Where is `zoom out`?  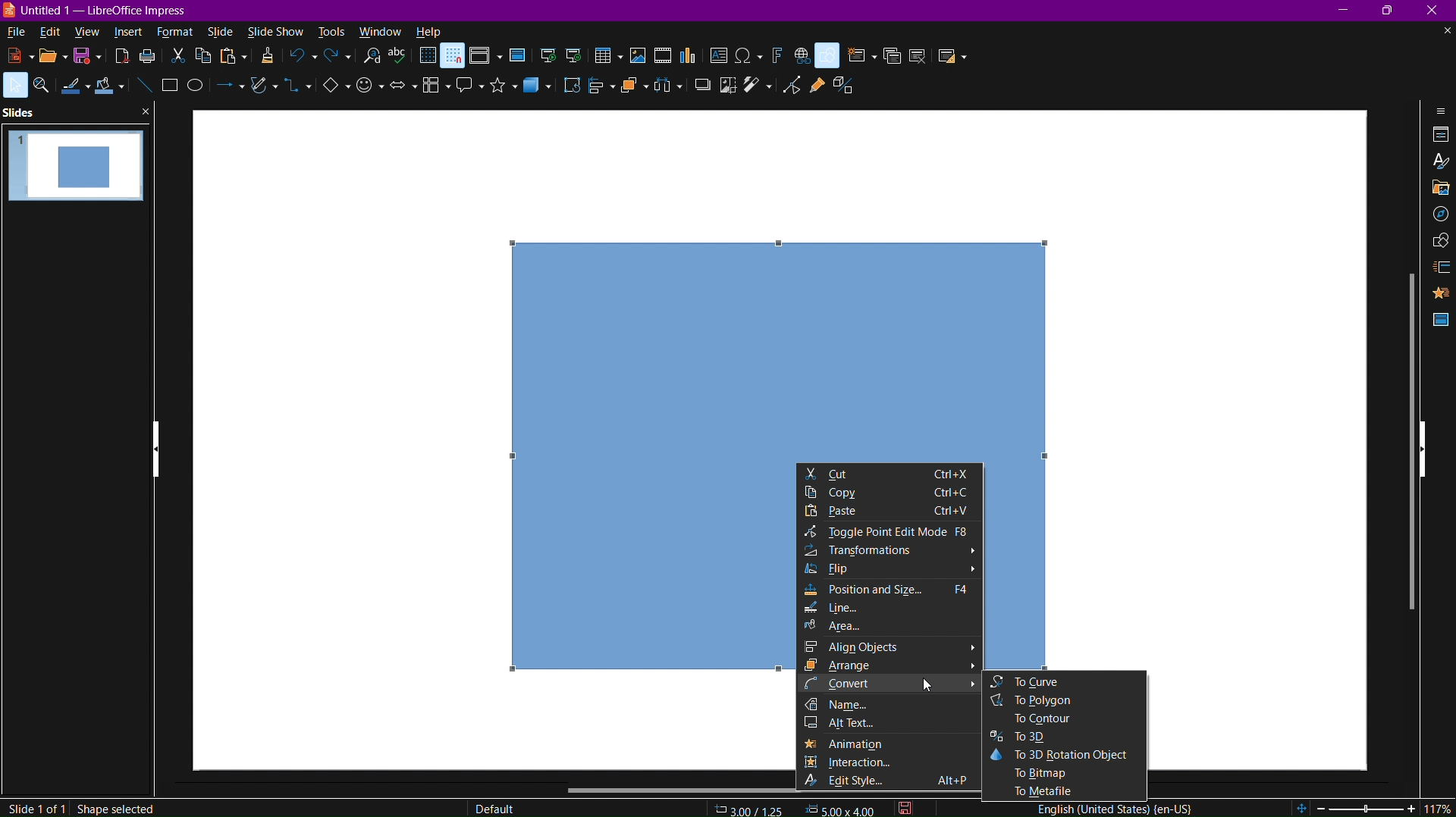 zoom out is located at coordinates (1321, 808).